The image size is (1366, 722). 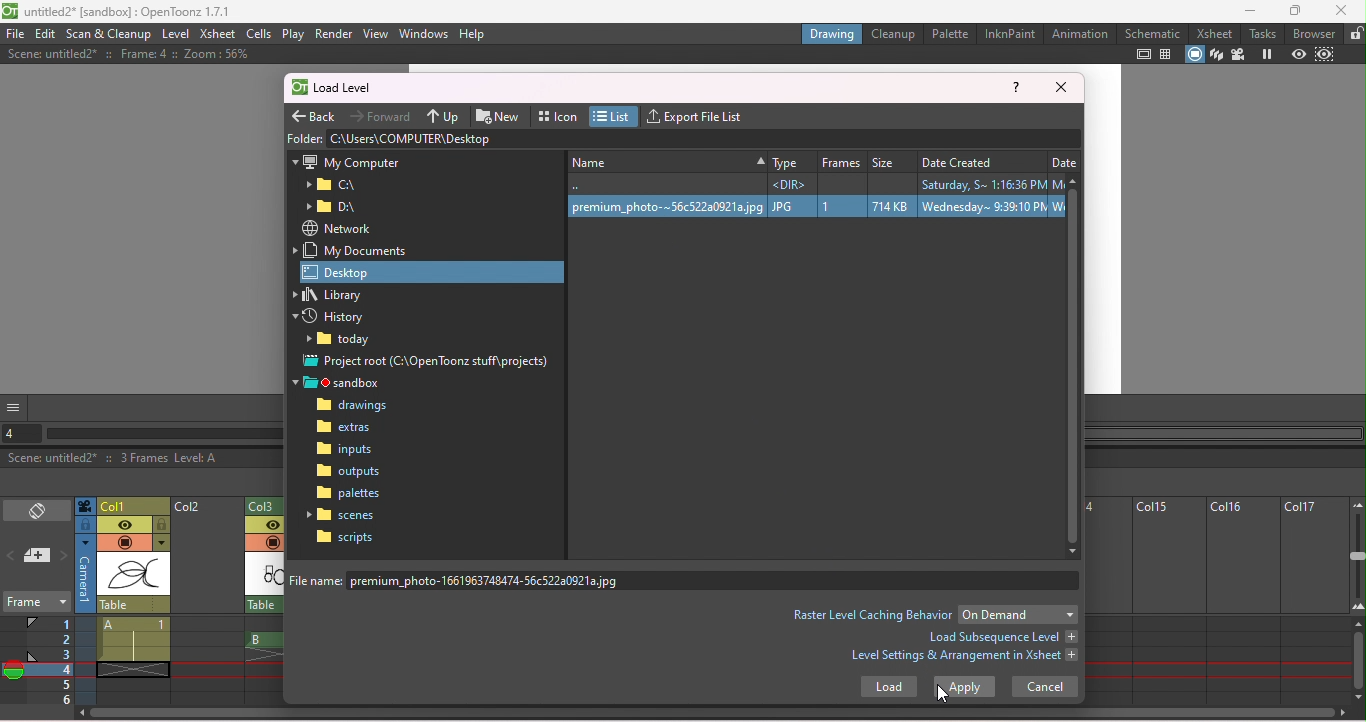 What do you see at coordinates (615, 116) in the screenshot?
I see `List` at bounding box center [615, 116].